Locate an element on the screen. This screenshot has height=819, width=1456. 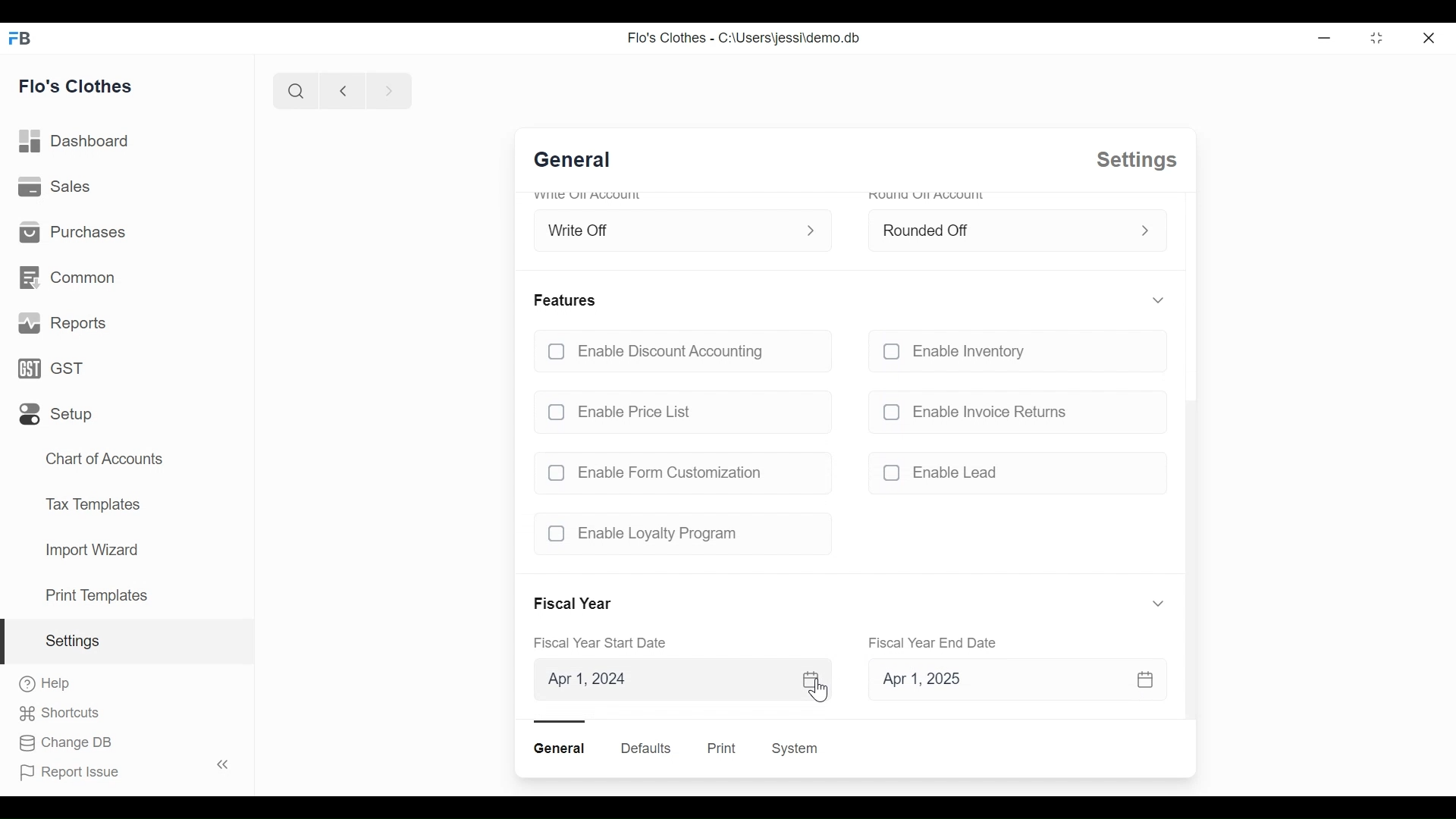
Print Templates is located at coordinates (96, 595).